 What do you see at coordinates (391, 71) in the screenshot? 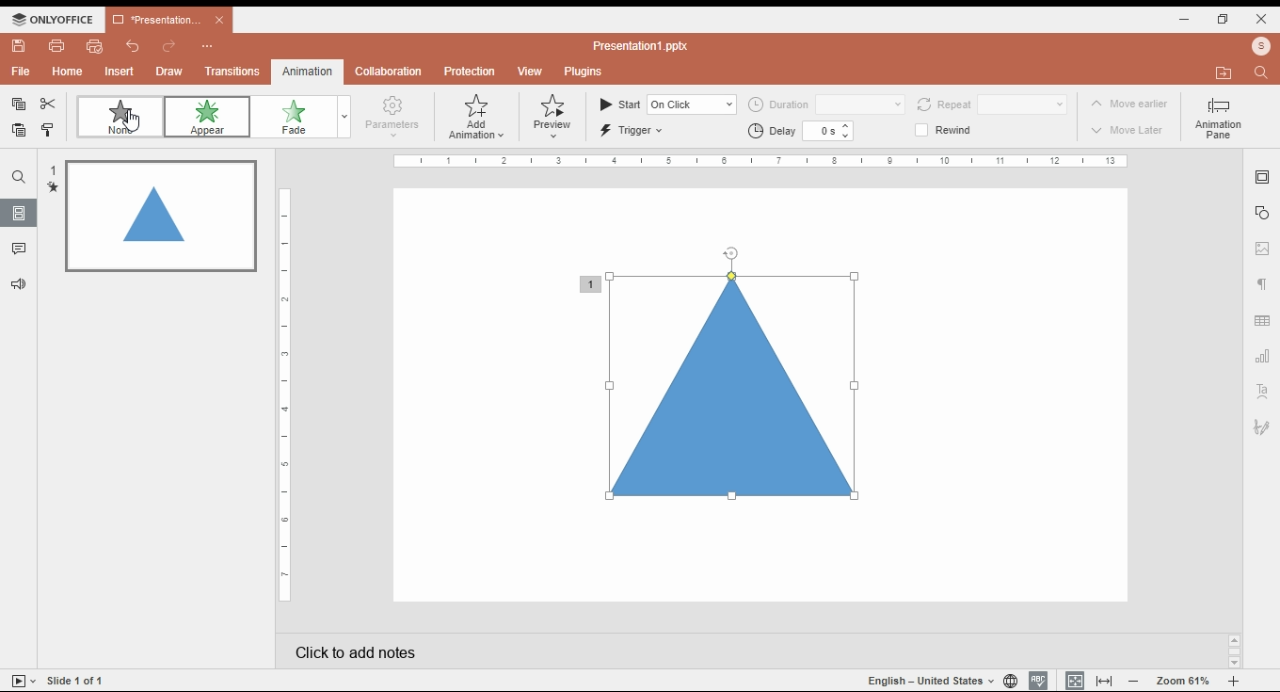
I see `collaboration` at bounding box center [391, 71].